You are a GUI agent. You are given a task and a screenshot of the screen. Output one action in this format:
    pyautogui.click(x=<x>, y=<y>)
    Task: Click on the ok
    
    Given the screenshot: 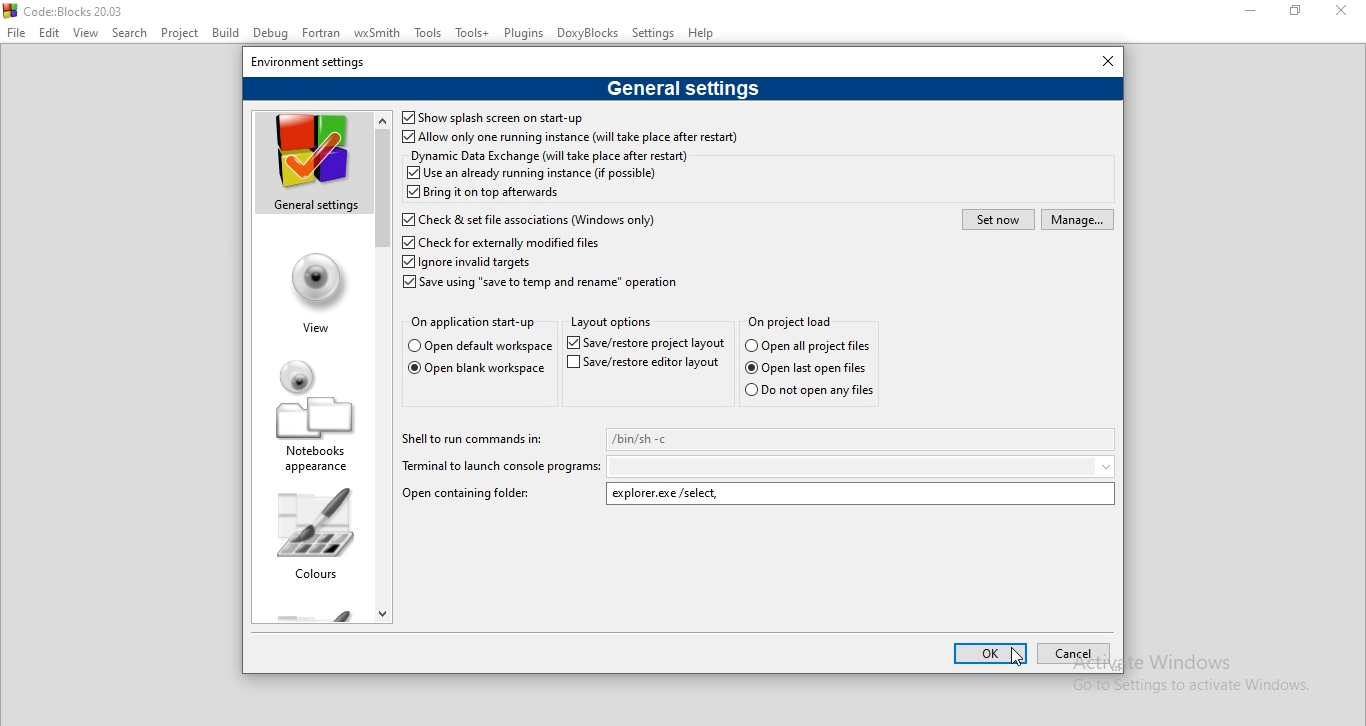 What is the action you would take?
    pyautogui.click(x=991, y=653)
    